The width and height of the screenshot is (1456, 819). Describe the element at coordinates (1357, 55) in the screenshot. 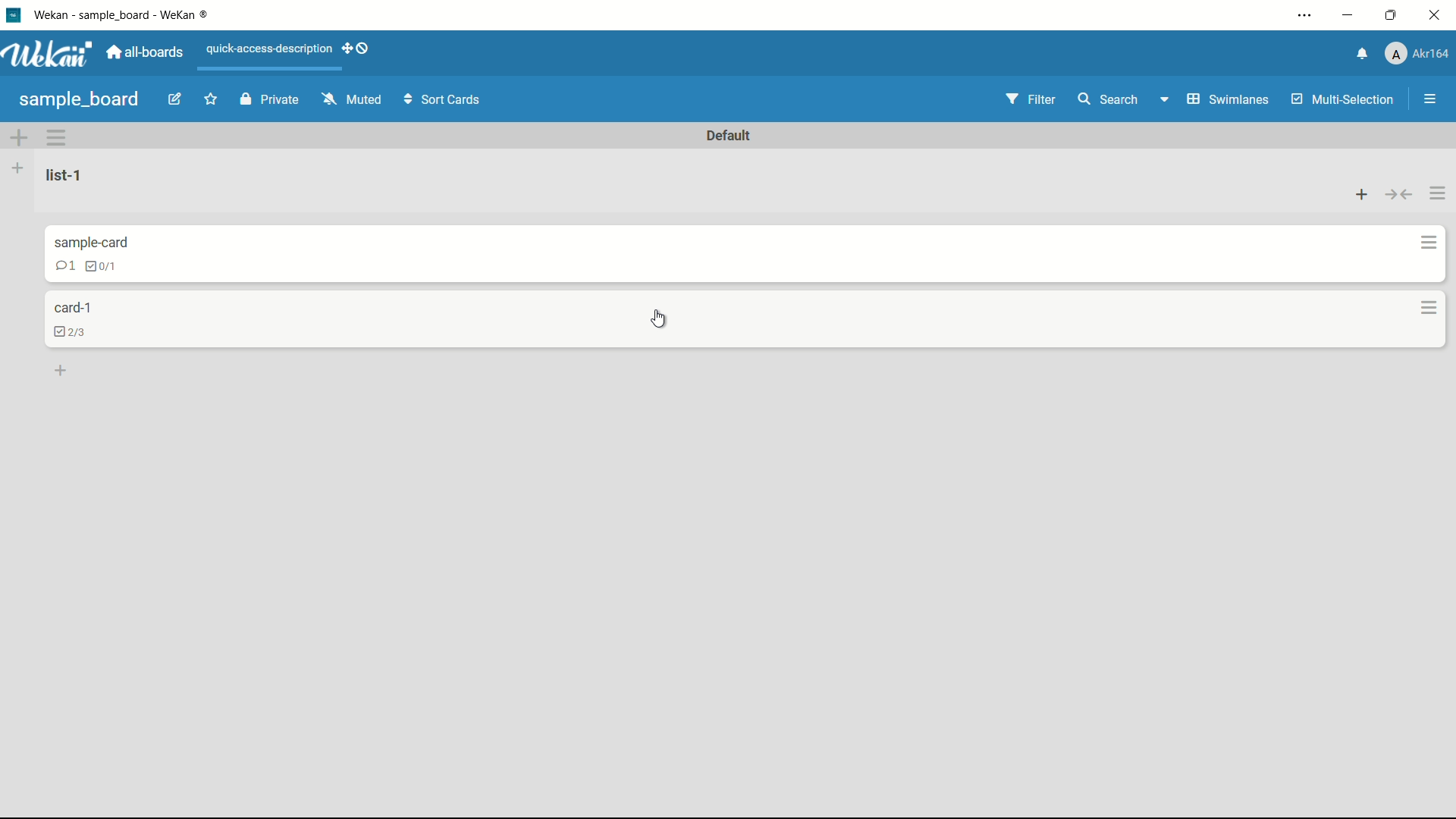

I see `notifications` at that location.